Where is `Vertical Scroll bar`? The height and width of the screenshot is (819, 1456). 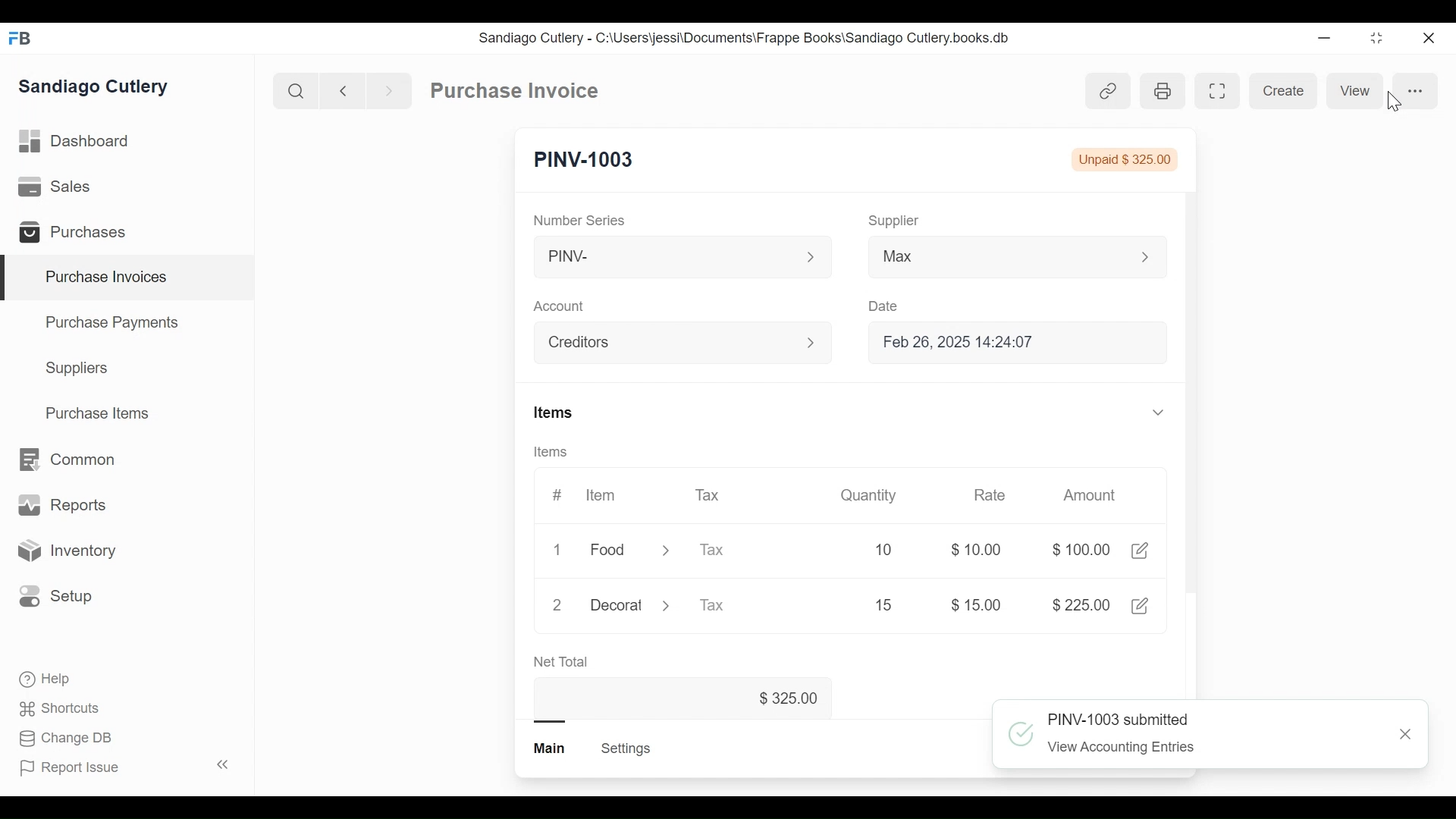
Vertical Scroll bar is located at coordinates (1191, 358).